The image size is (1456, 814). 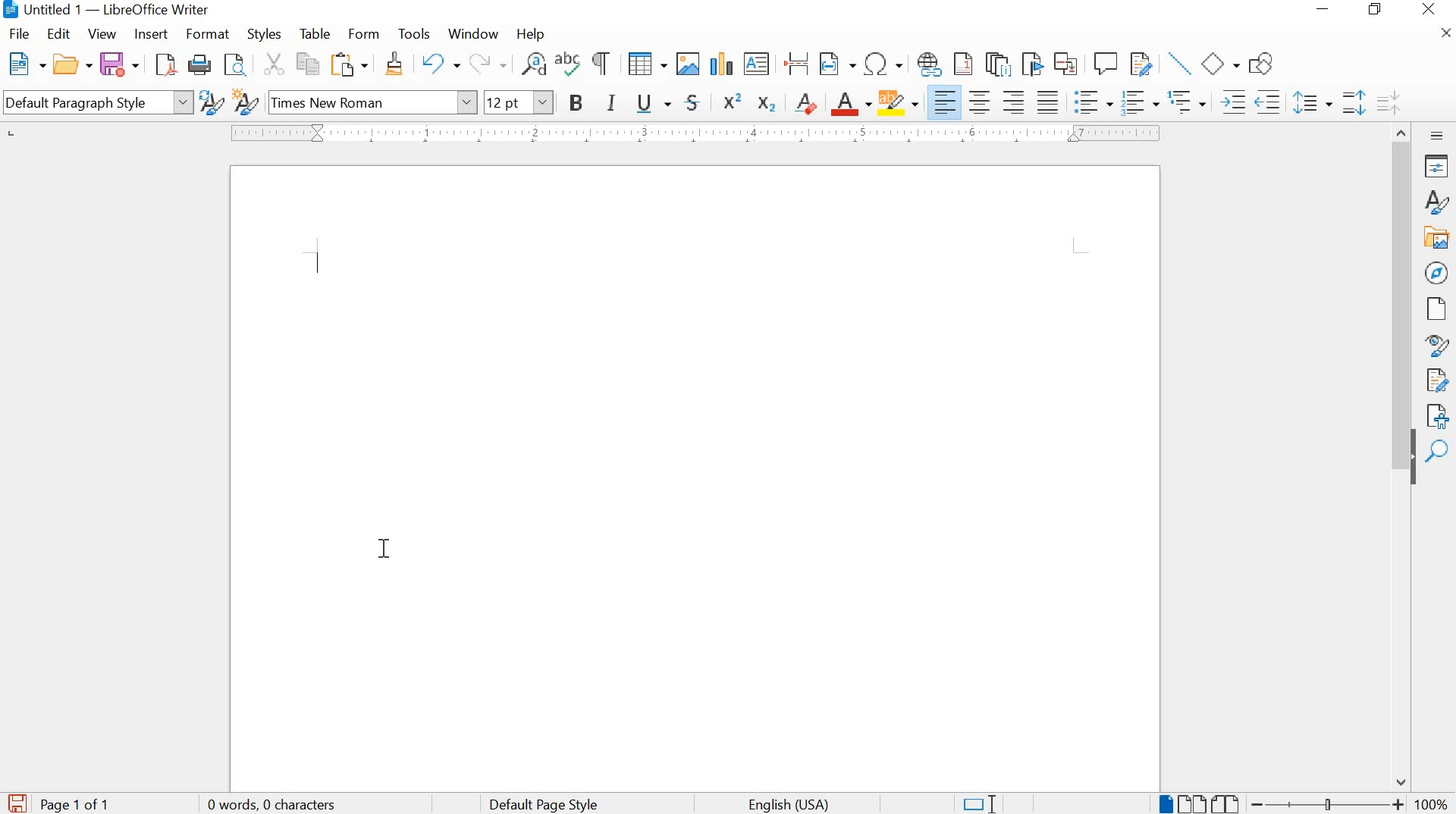 I want to click on SUBSCRIPT, so click(x=767, y=102).